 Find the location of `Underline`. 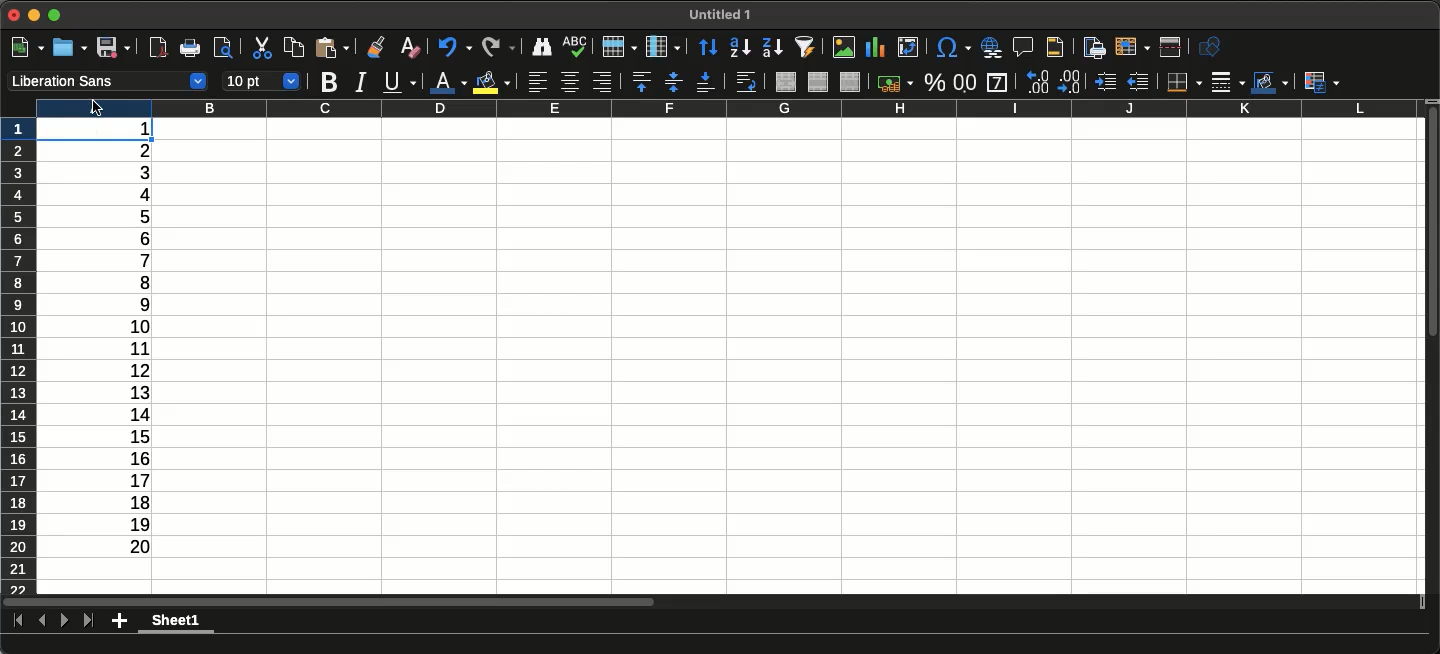

Underline is located at coordinates (399, 81).